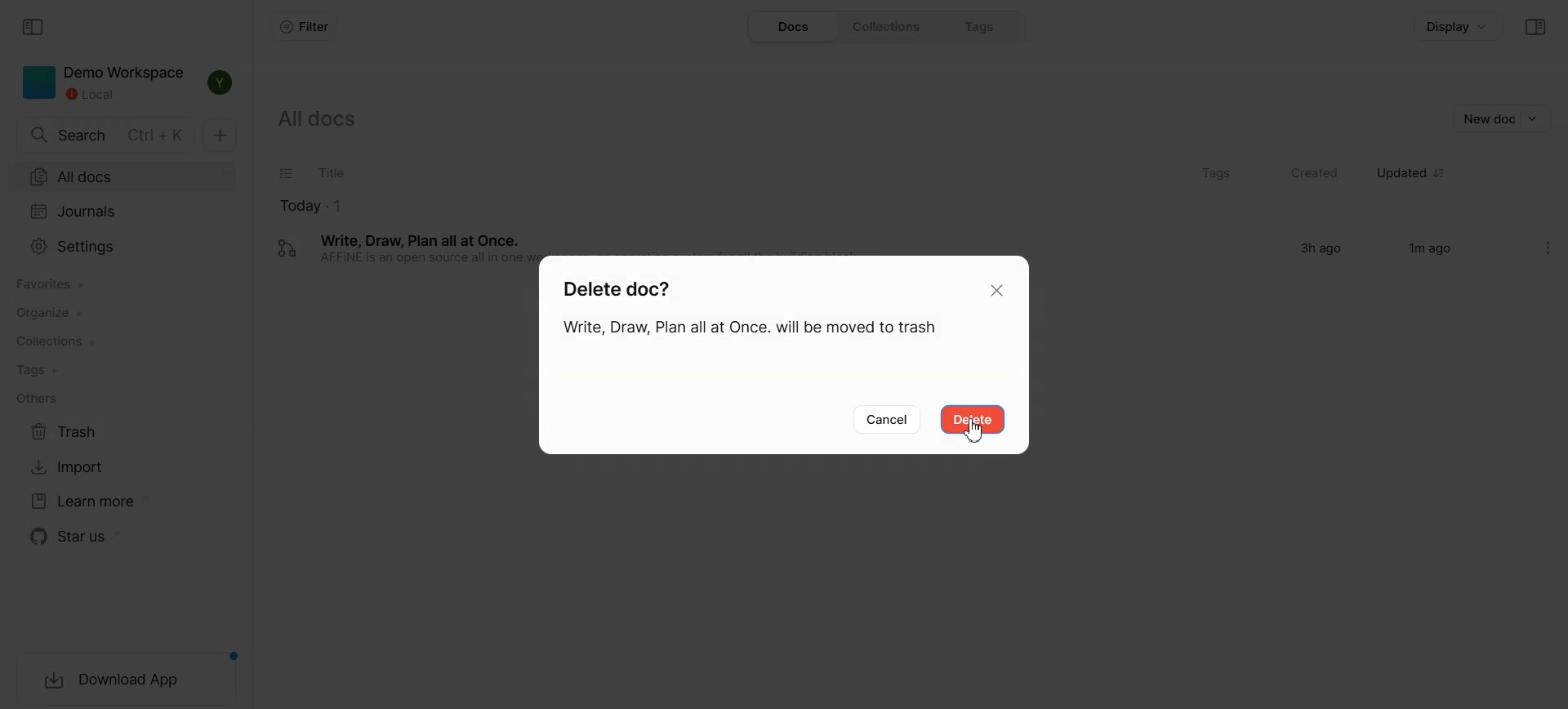 This screenshot has width=1568, height=709. I want to click on Settings, so click(122, 247).